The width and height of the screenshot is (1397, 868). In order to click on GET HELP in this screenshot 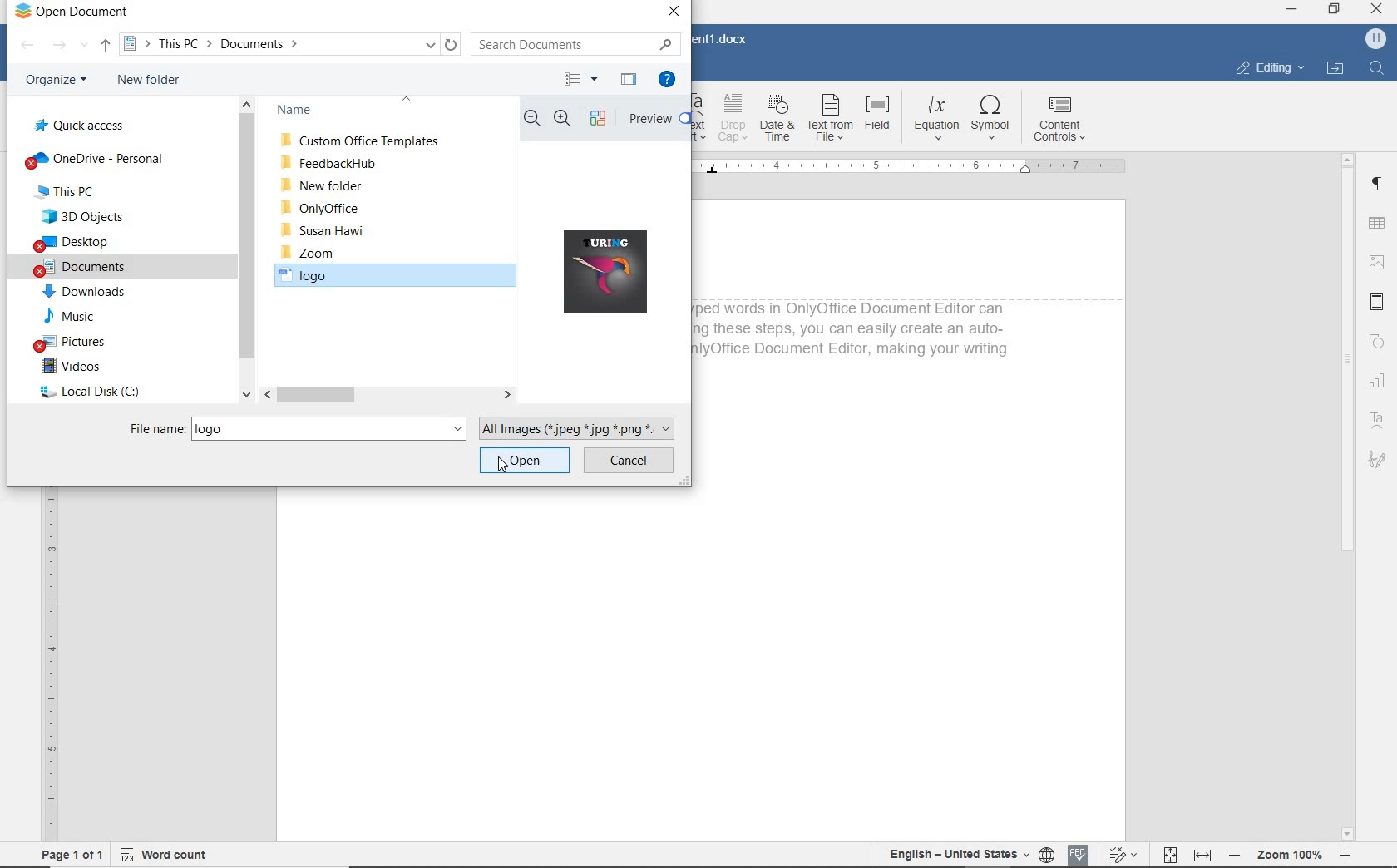, I will do `click(670, 79)`.